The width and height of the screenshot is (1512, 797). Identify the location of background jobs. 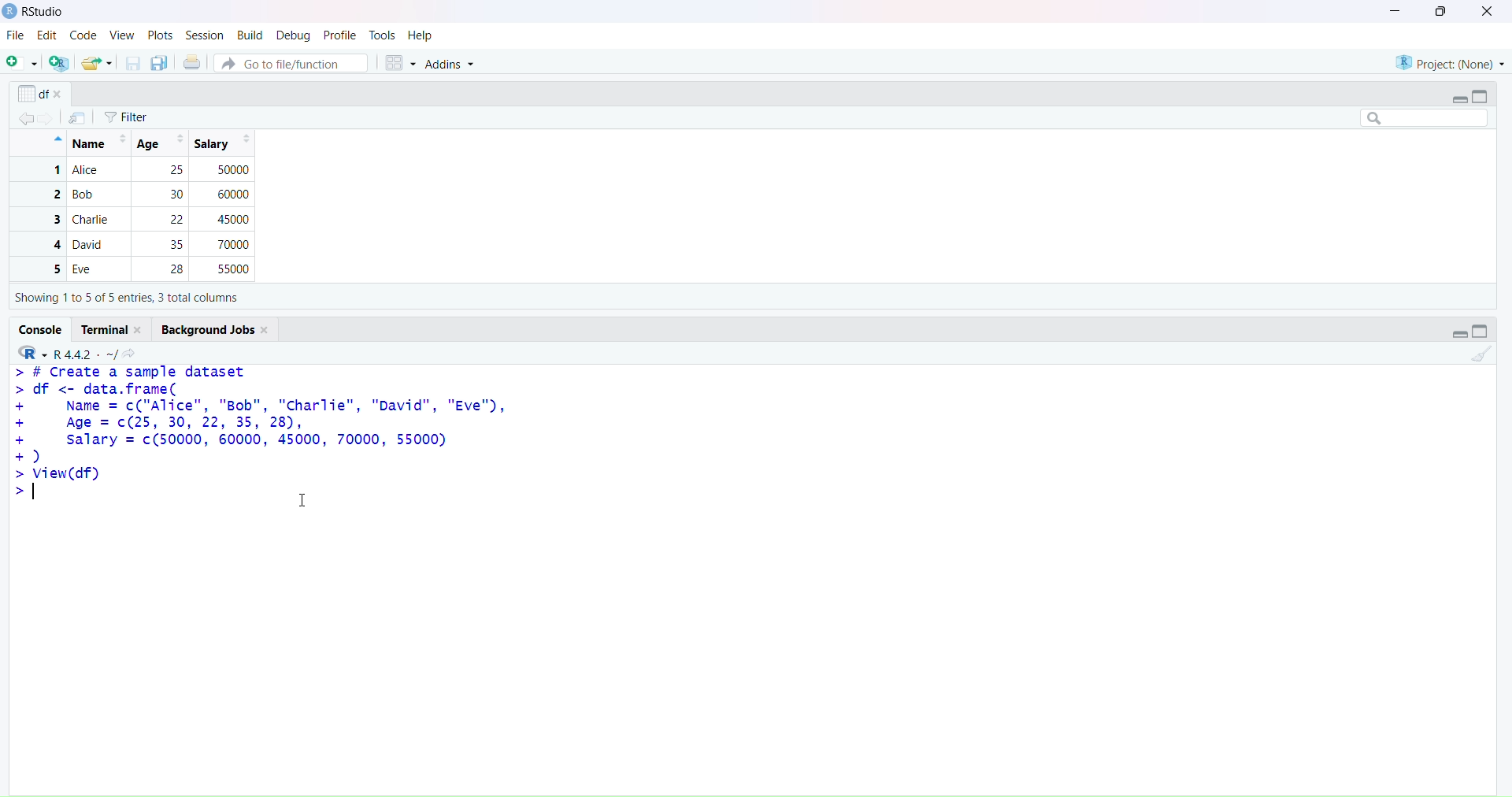
(217, 330).